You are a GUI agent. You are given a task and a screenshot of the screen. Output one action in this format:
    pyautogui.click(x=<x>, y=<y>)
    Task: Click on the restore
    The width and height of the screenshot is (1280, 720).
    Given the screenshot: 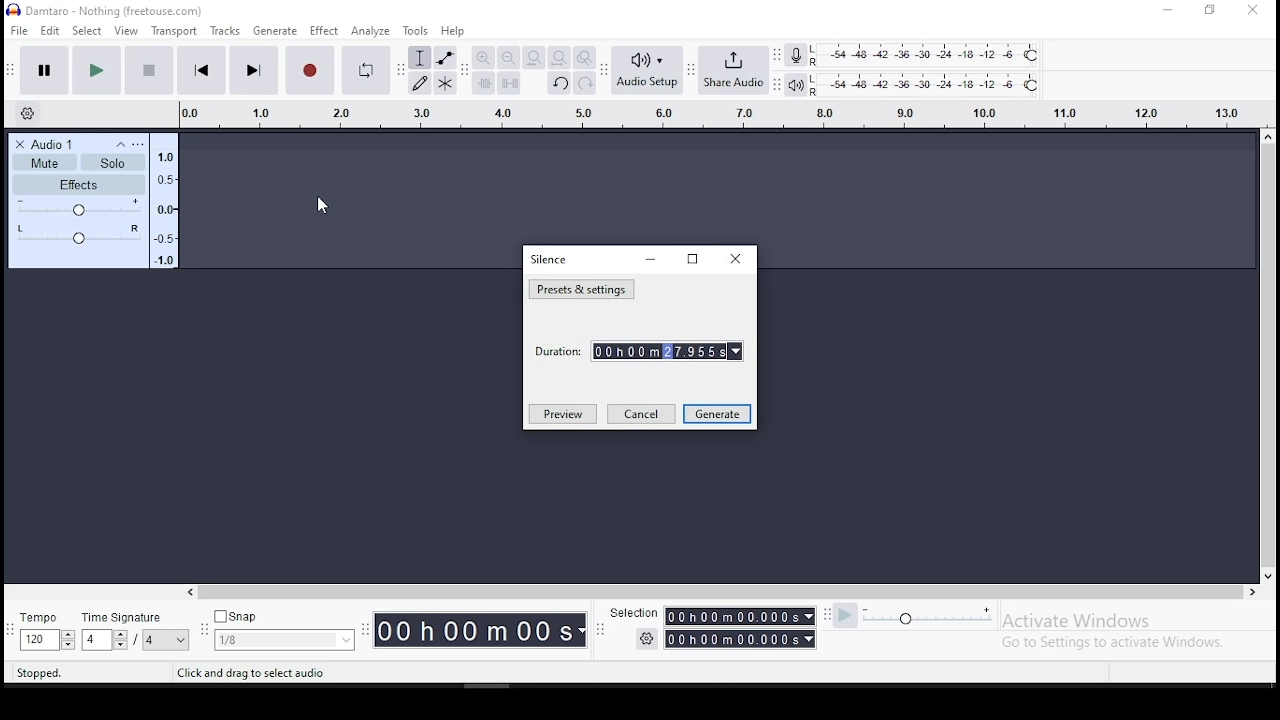 What is the action you would take?
    pyautogui.click(x=692, y=259)
    